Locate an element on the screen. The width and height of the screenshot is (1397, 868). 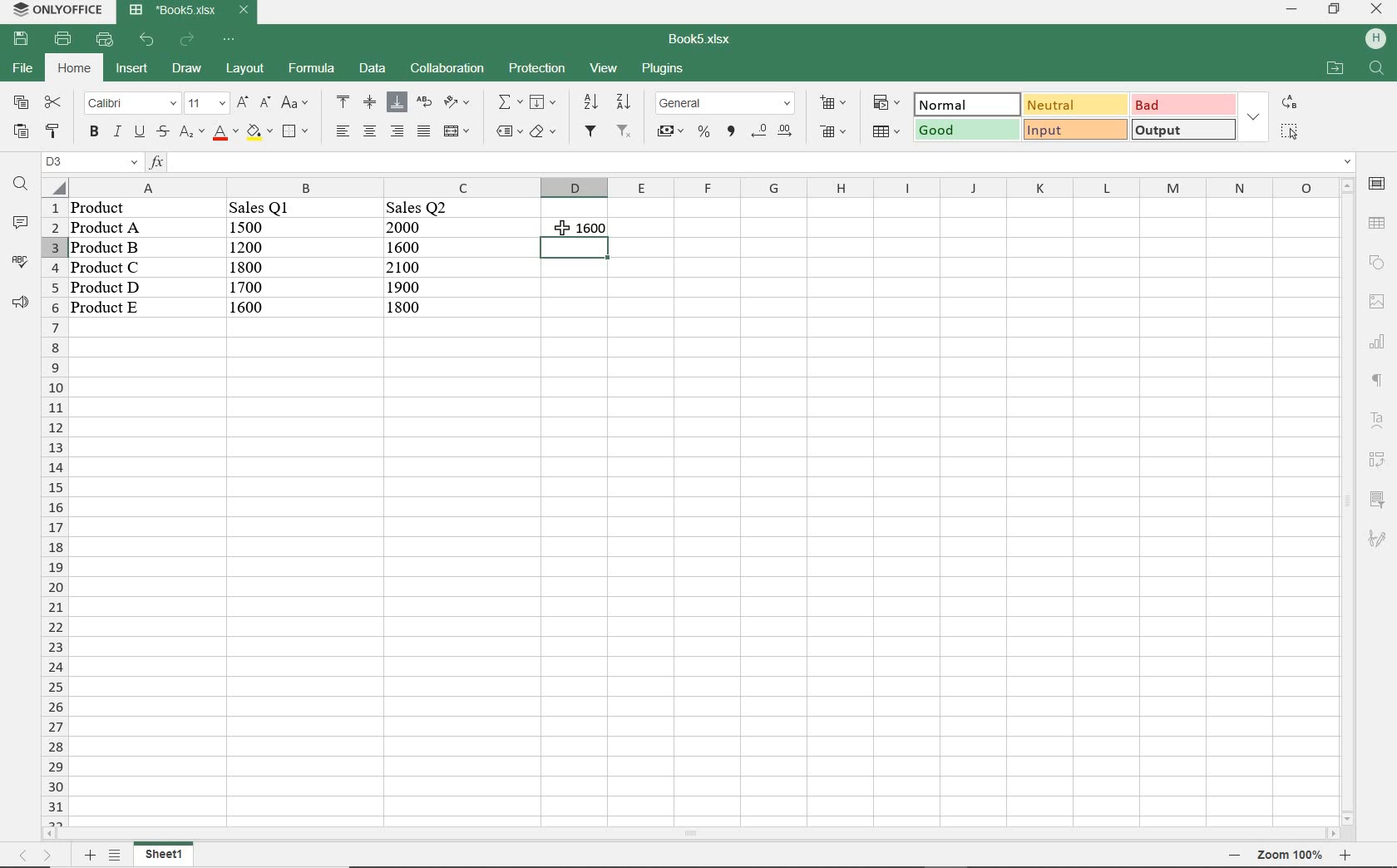
underline is located at coordinates (139, 131).